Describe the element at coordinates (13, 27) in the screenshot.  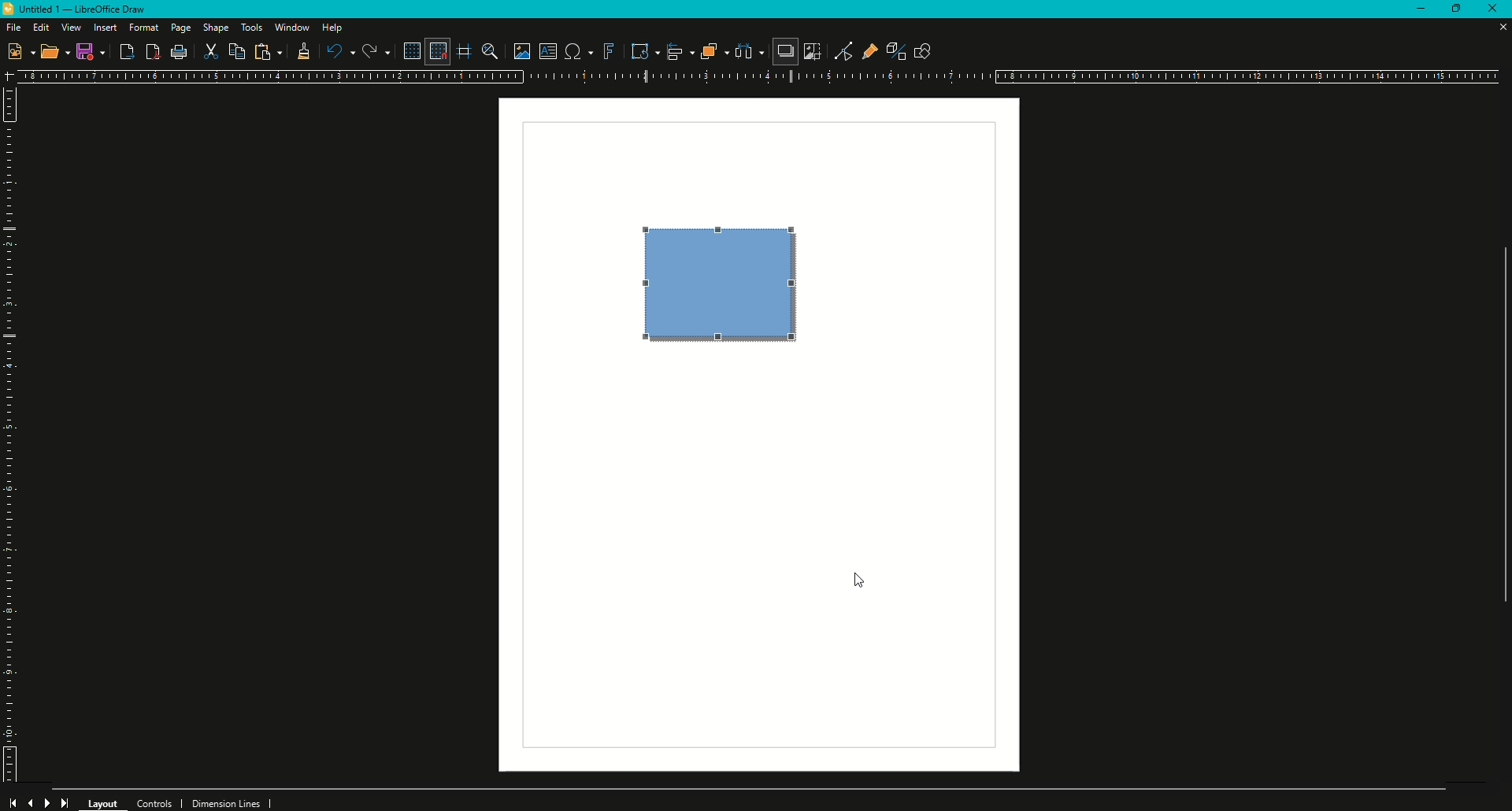
I see `File` at that location.